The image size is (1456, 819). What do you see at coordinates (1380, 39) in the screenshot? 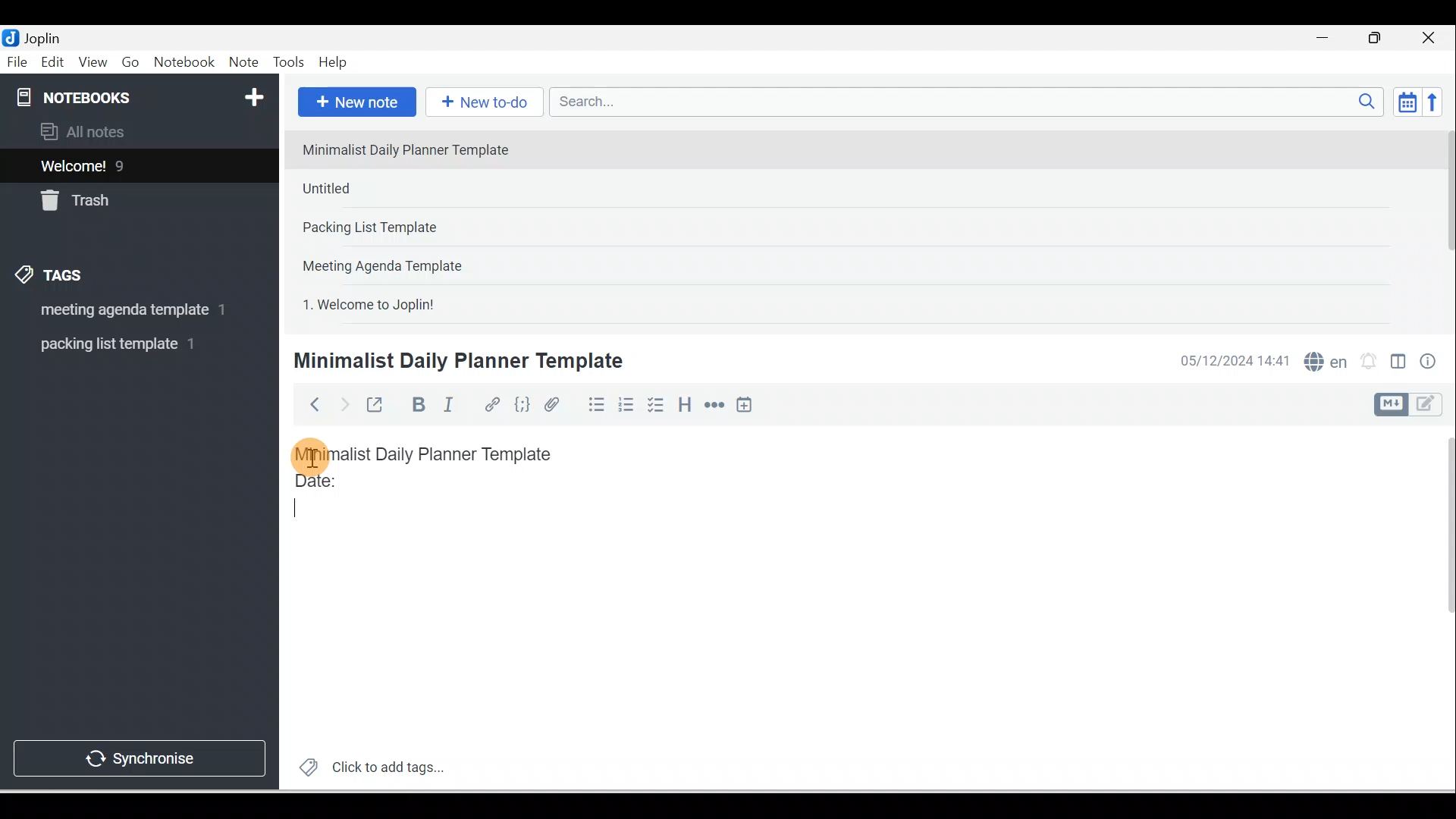
I see `Maximise` at bounding box center [1380, 39].